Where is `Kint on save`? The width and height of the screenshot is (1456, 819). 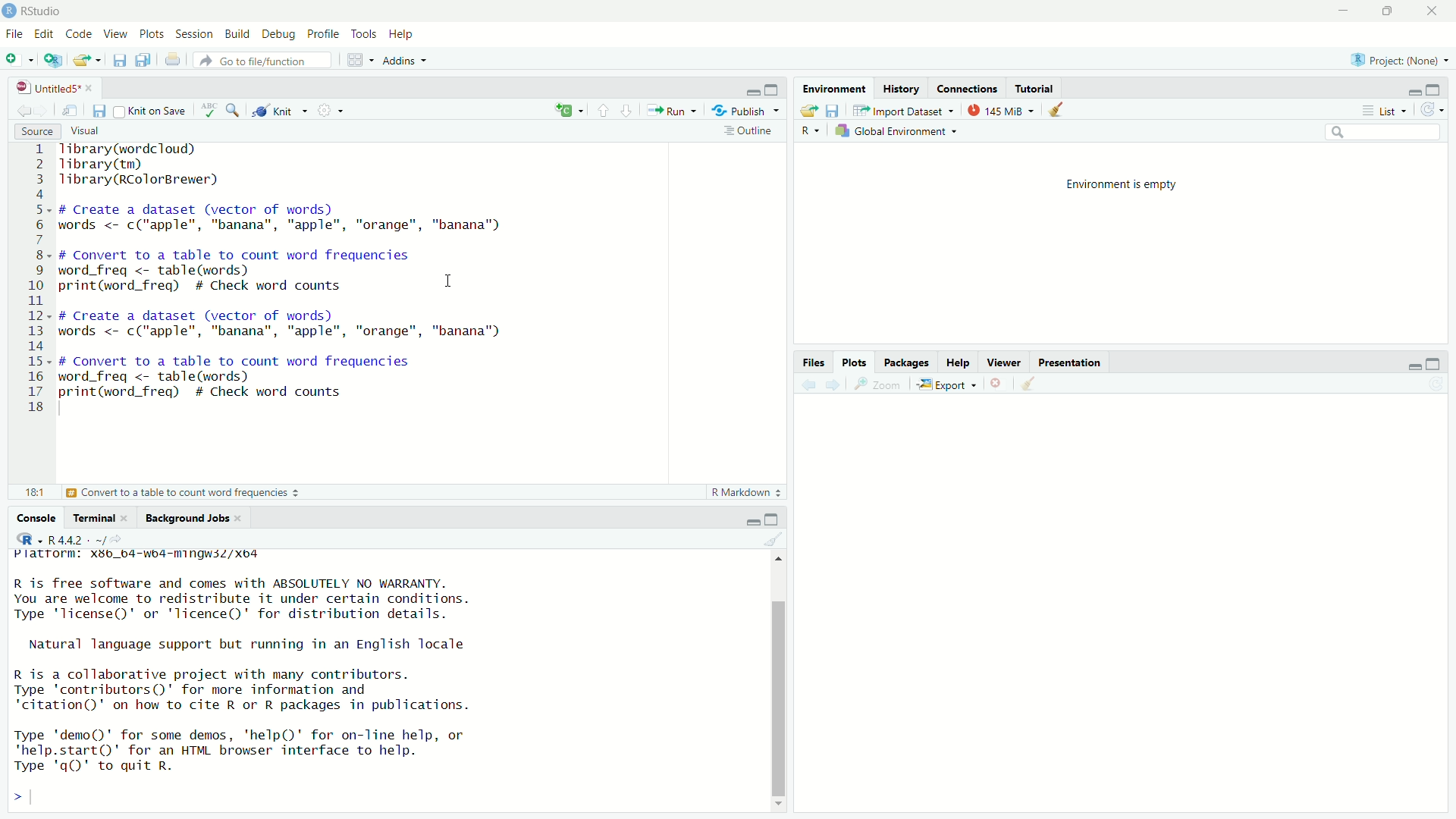
Kint on save is located at coordinates (149, 111).